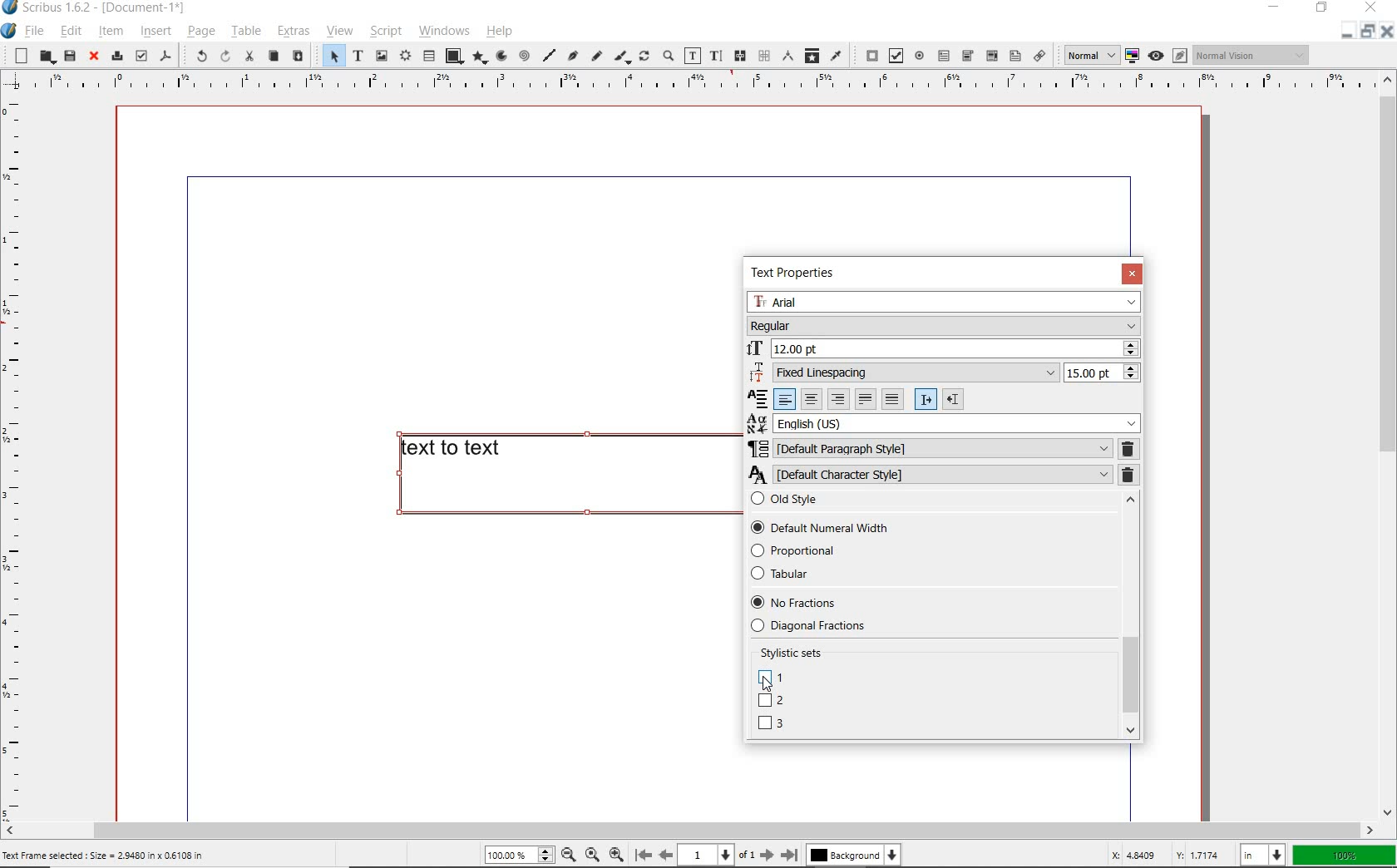  What do you see at coordinates (868, 56) in the screenshot?
I see `pdf push button` at bounding box center [868, 56].